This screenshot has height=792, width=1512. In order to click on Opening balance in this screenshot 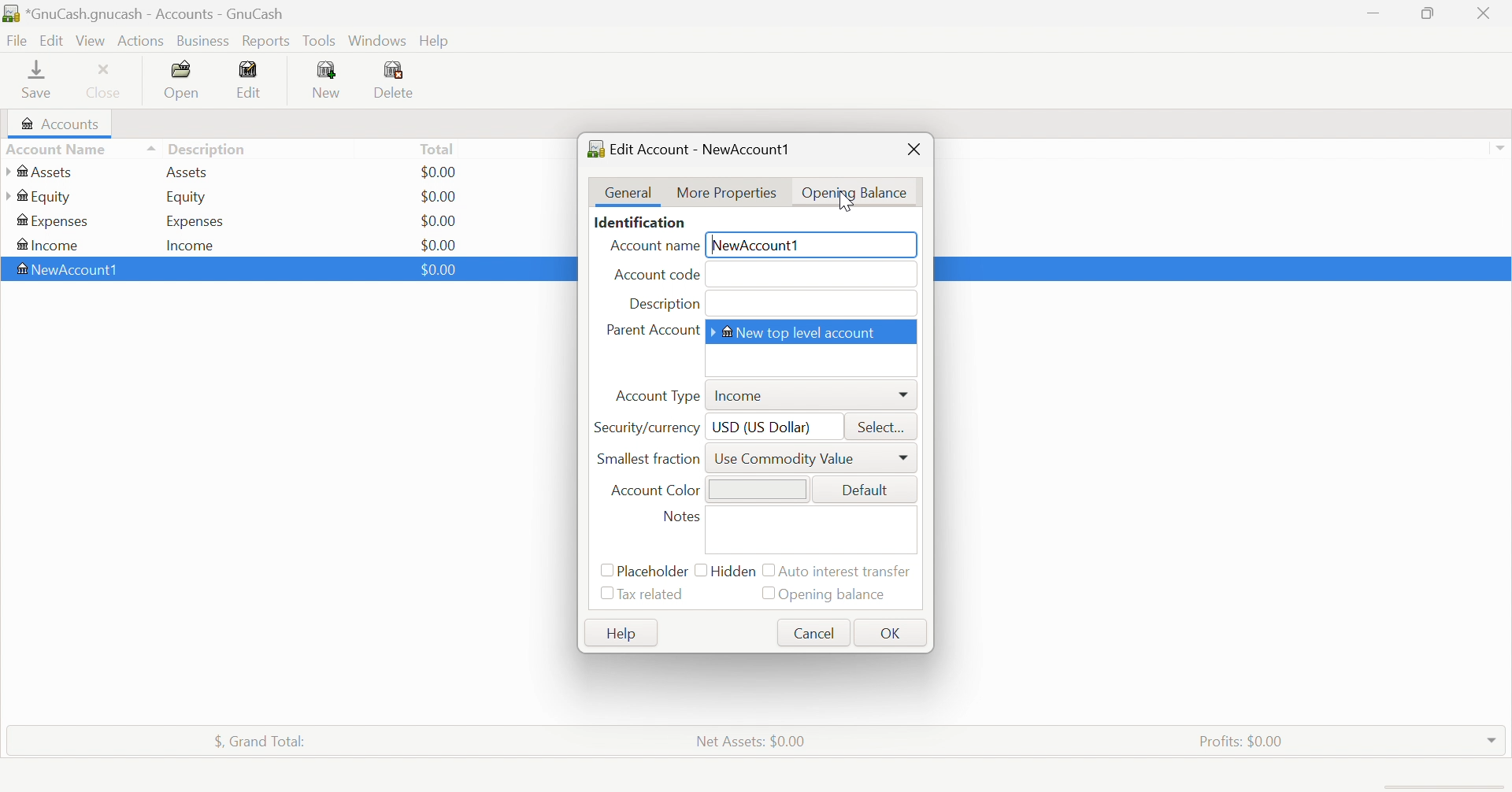, I will do `click(835, 595)`.